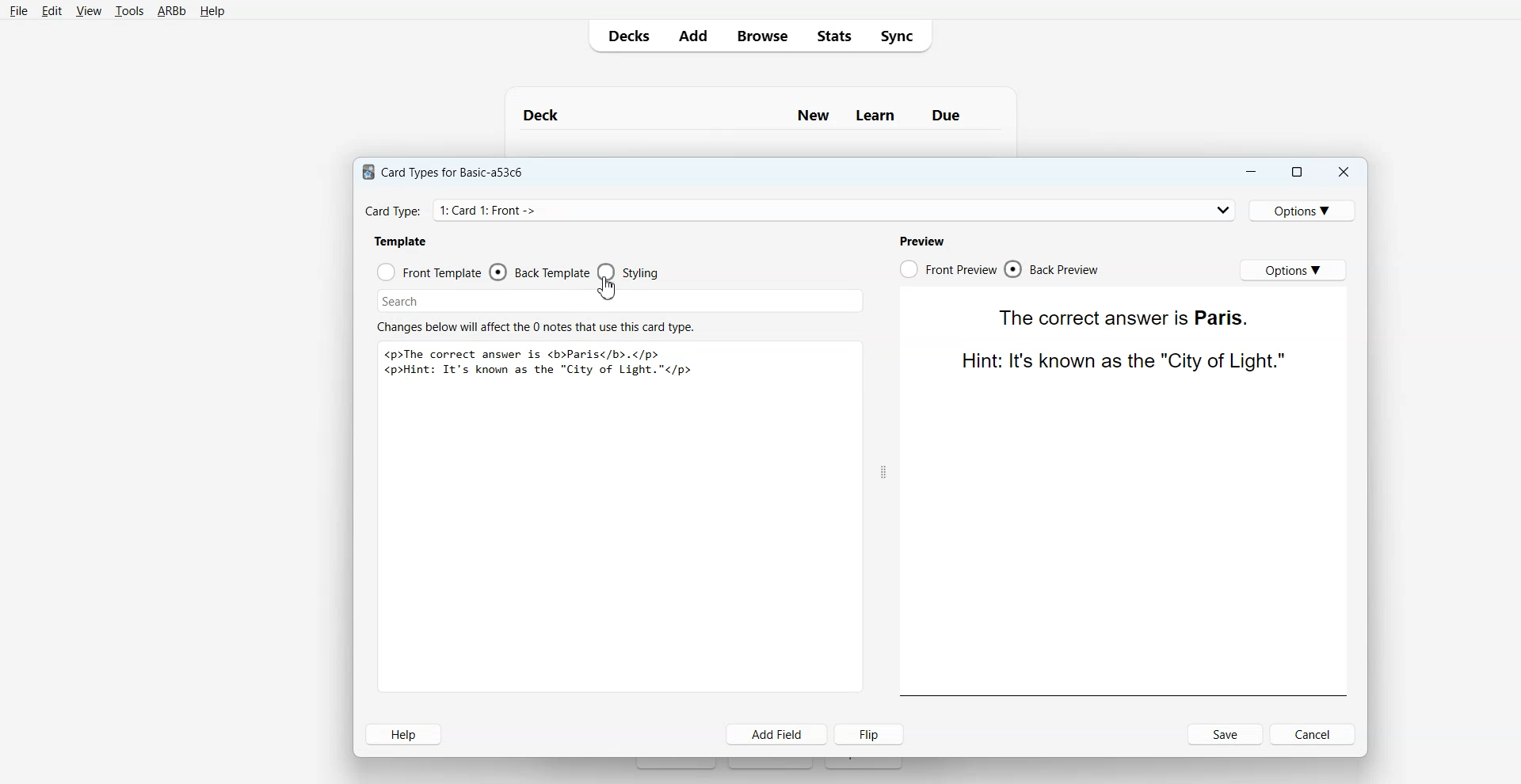 Image resolution: width=1521 pixels, height=784 pixels. Describe the element at coordinates (52, 11) in the screenshot. I see `Edit` at that location.